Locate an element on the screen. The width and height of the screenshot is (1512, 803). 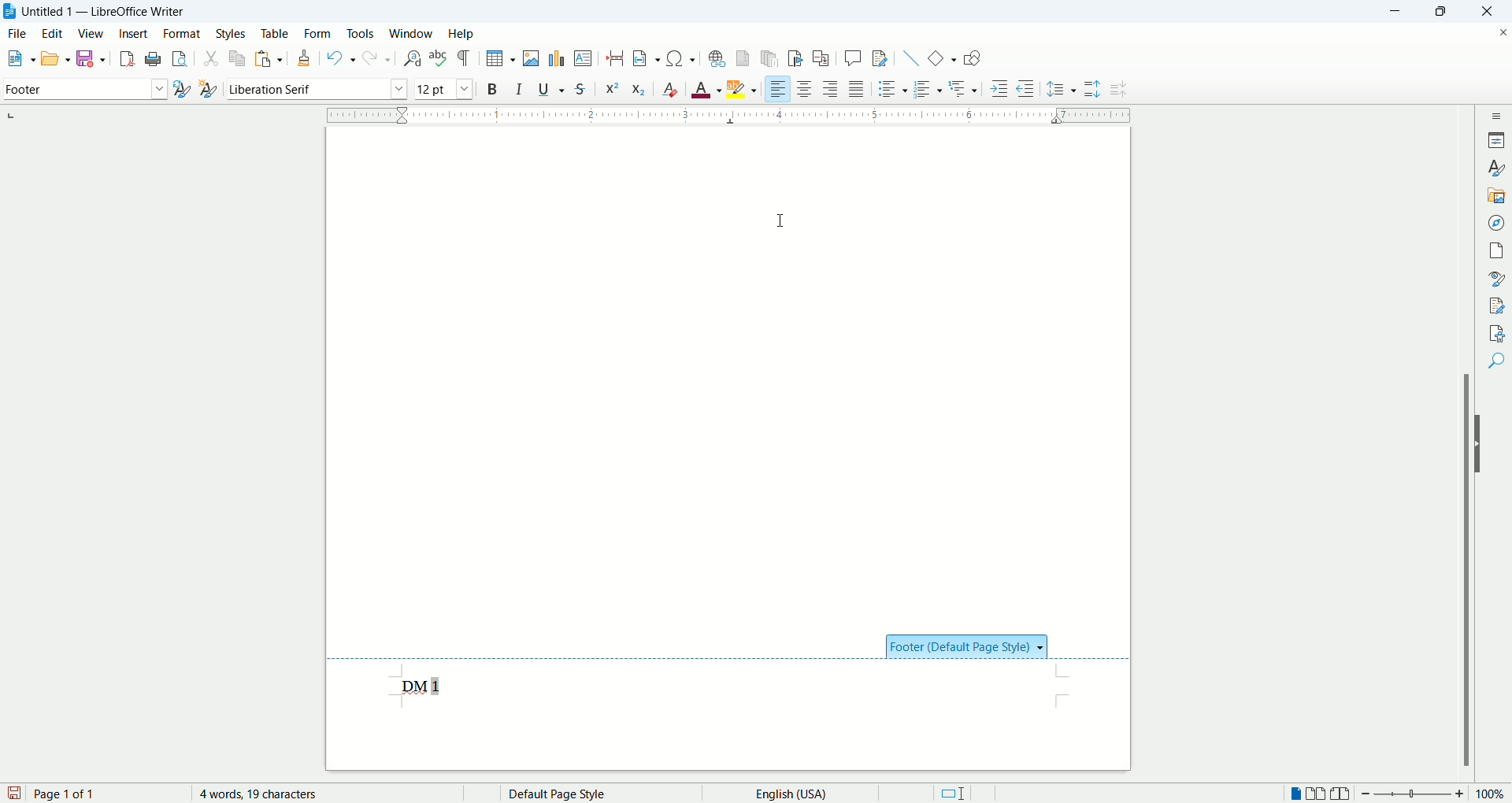
bold is located at coordinates (492, 88).